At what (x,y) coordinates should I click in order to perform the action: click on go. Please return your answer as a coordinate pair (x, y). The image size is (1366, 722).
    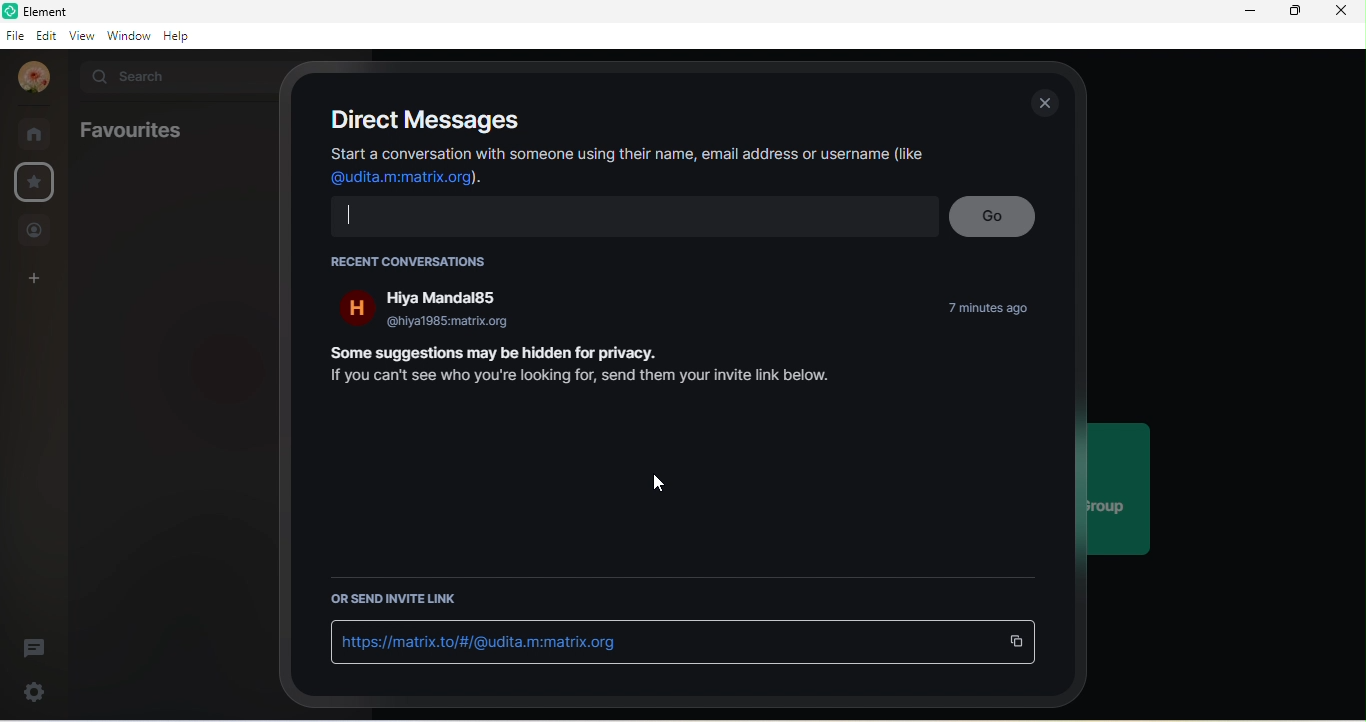
    Looking at the image, I should click on (993, 217).